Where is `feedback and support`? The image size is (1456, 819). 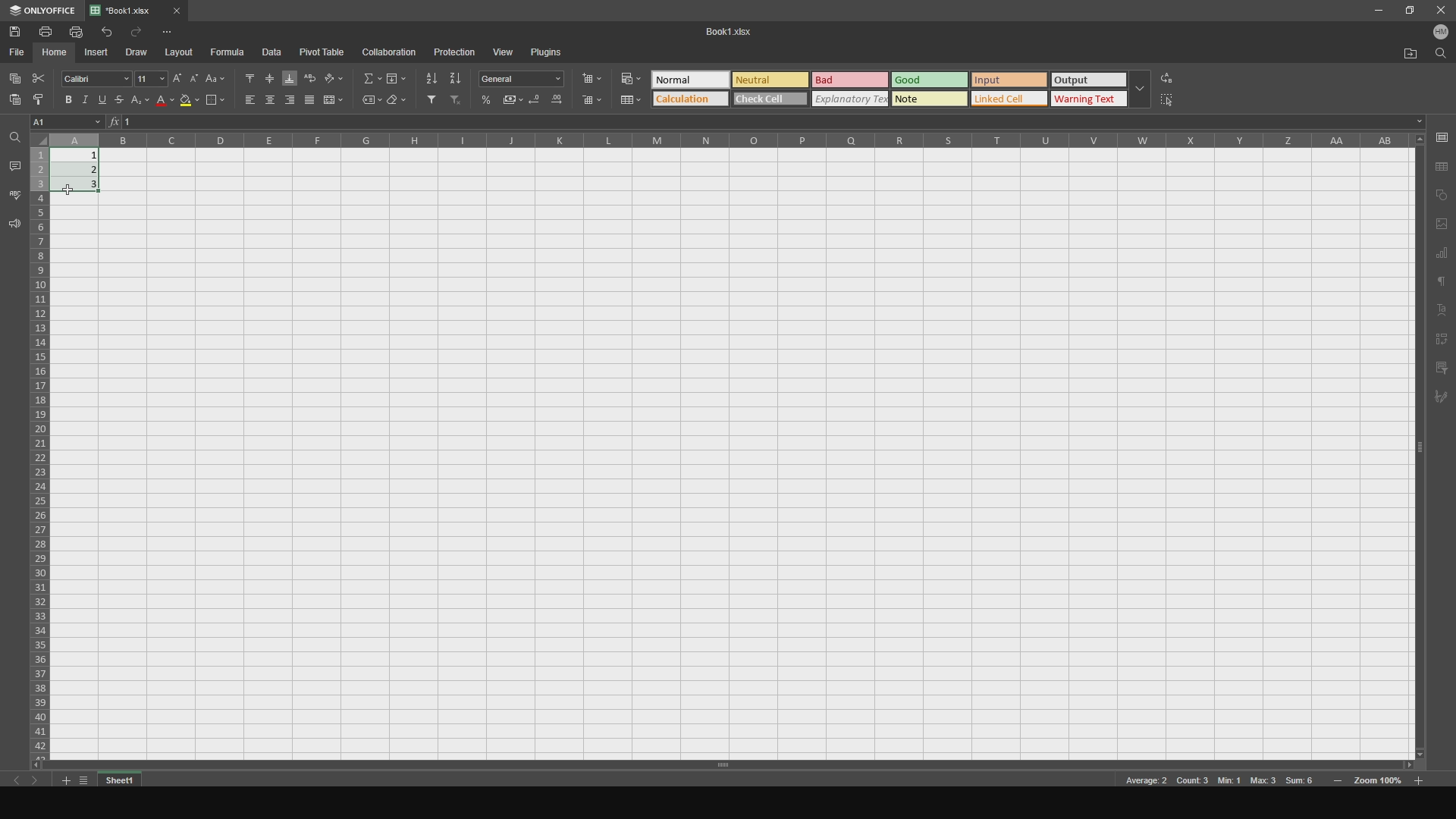 feedback and support is located at coordinates (13, 226).